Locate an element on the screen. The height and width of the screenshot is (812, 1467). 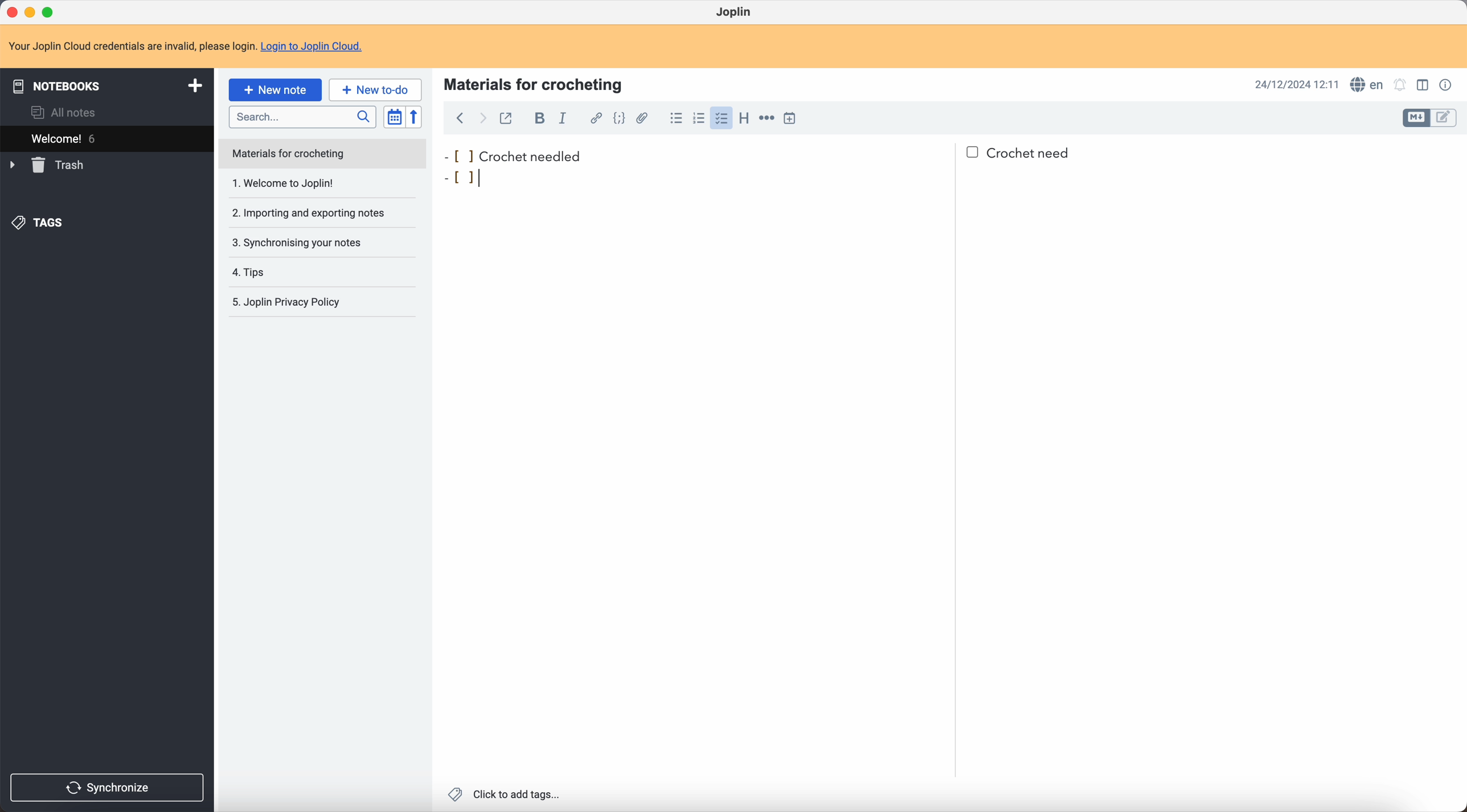
note is located at coordinates (186, 46).